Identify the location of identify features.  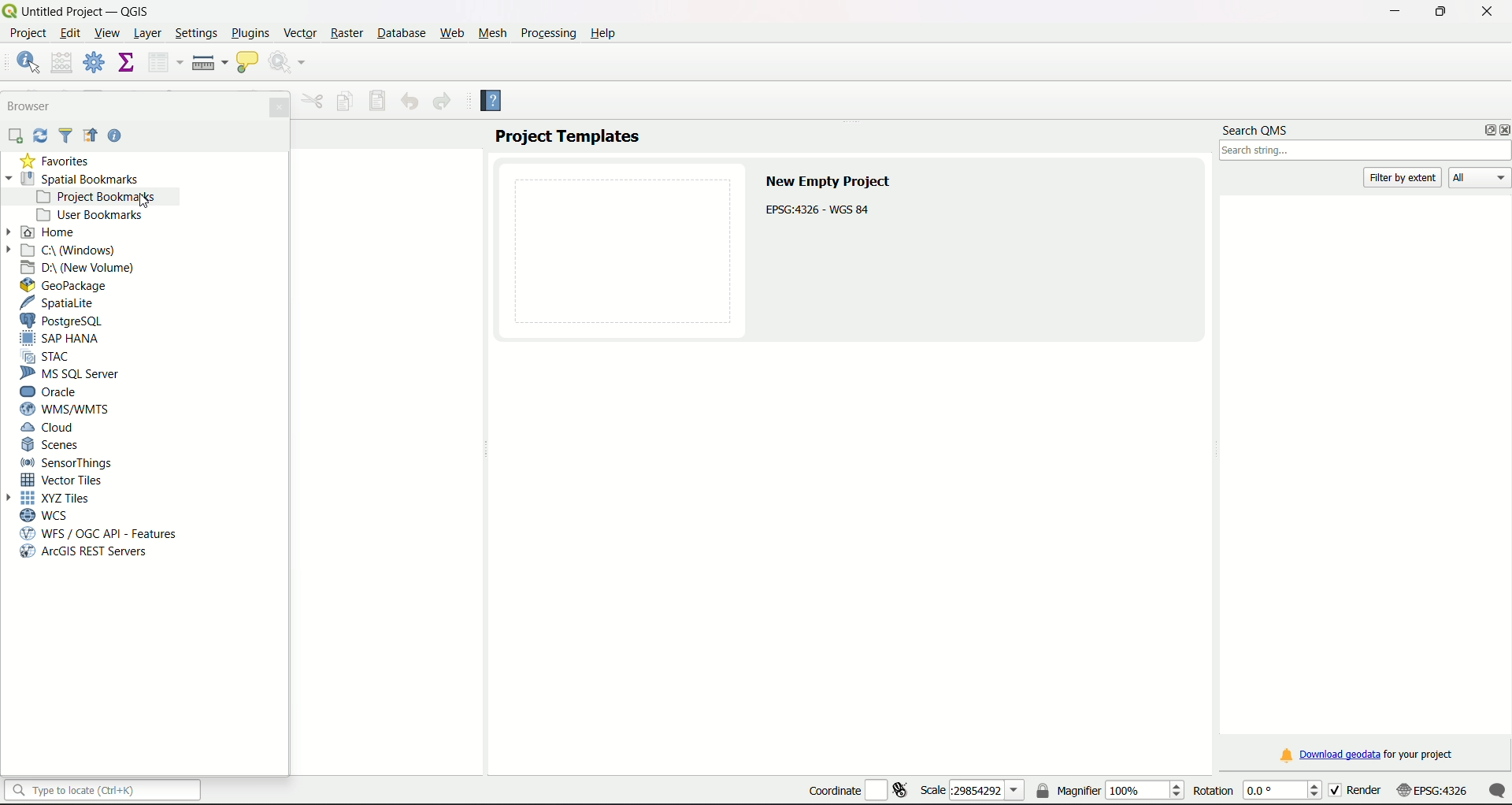
(27, 61).